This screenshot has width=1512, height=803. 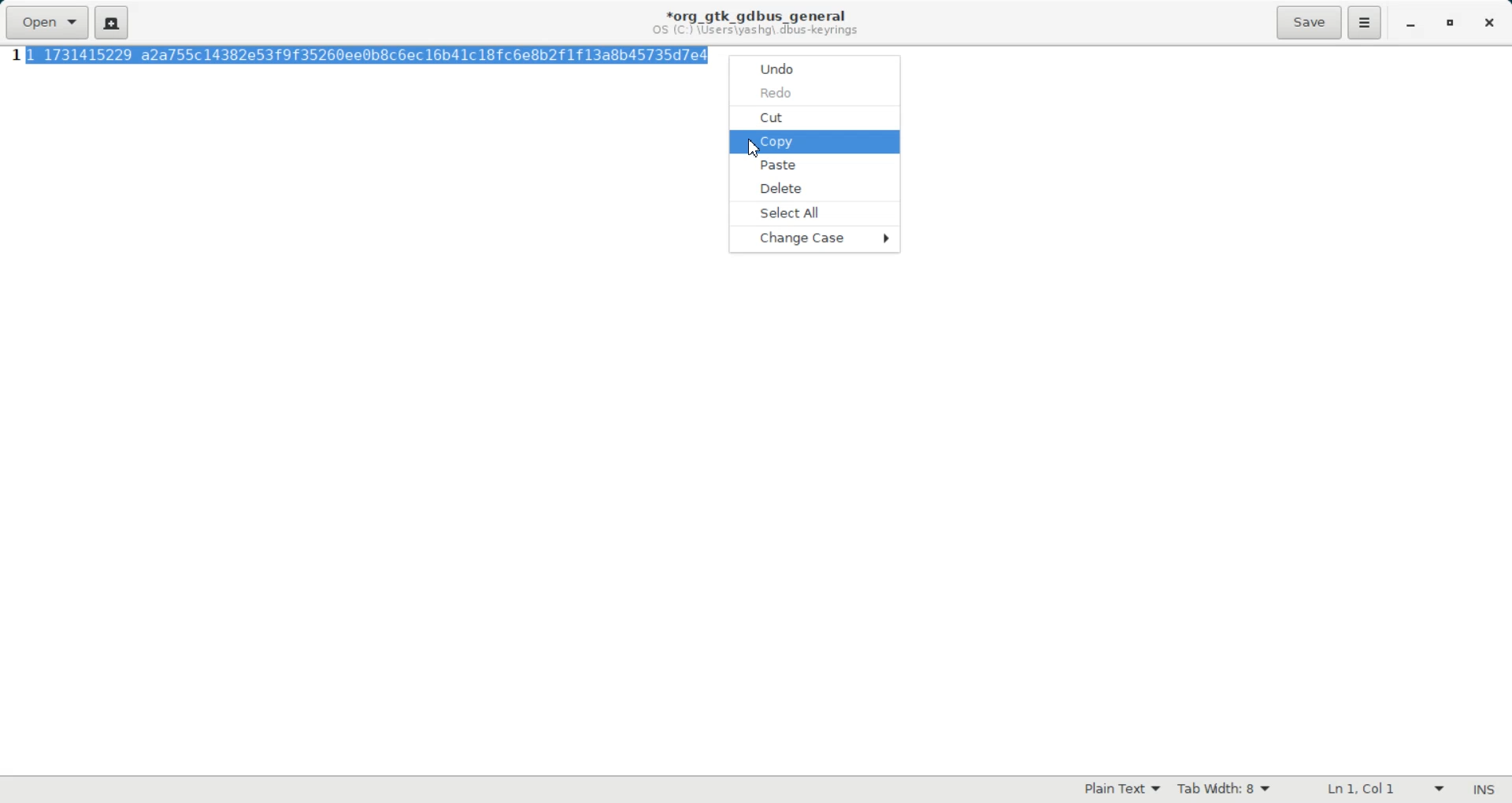 I want to click on Cut, so click(x=810, y=119).